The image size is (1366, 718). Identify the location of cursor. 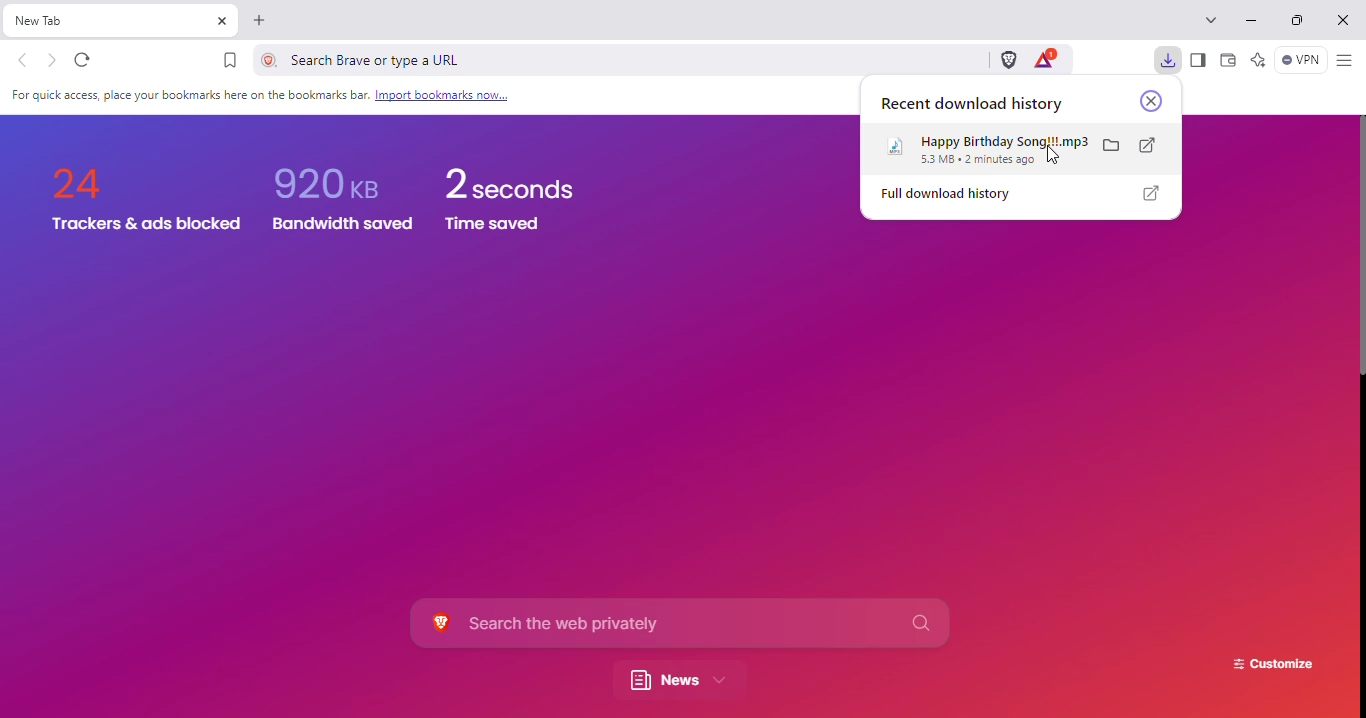
(1054, 155).